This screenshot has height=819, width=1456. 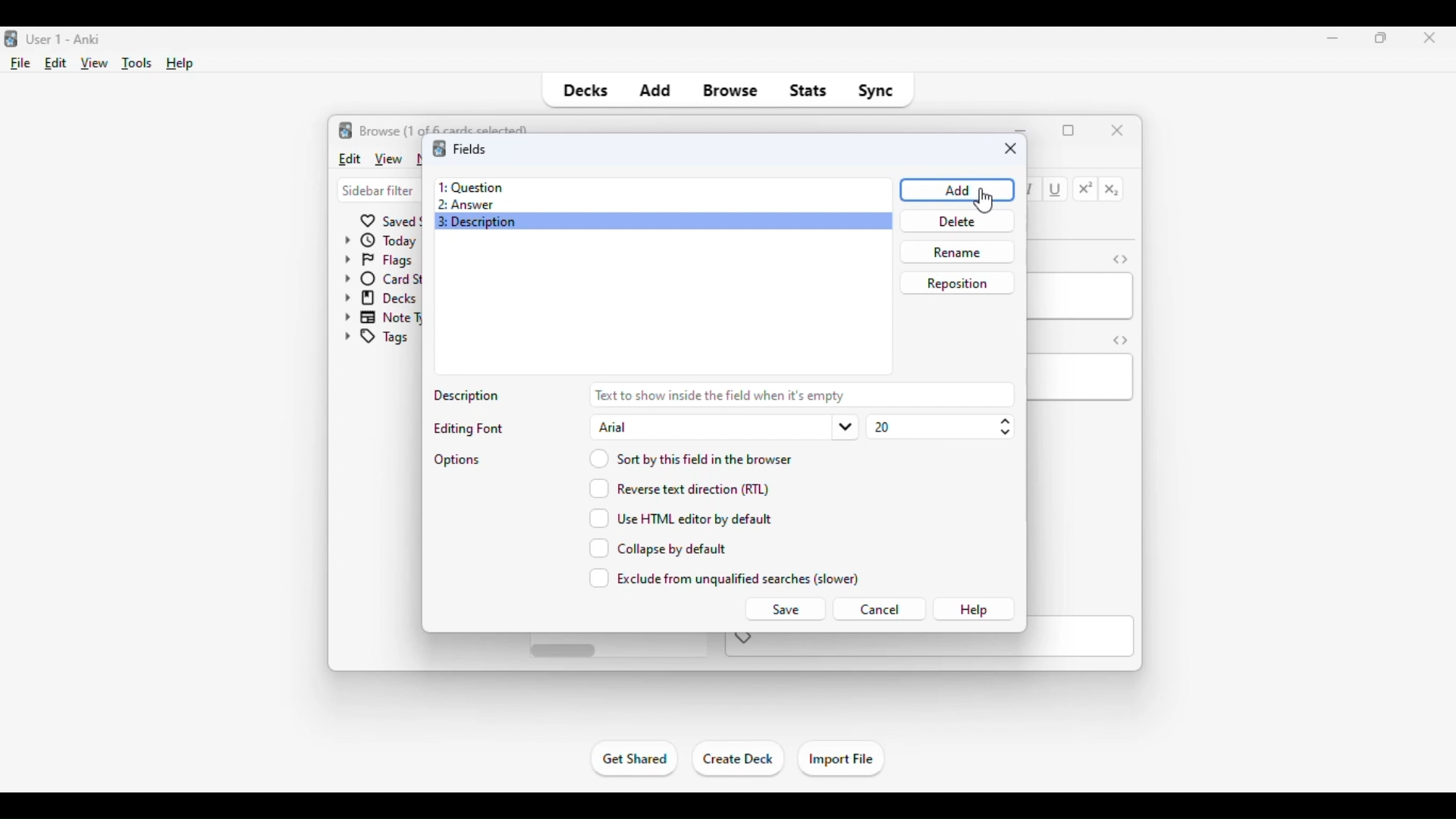 I want to click on toggle HTML editor, so click(x=1121, y=340).